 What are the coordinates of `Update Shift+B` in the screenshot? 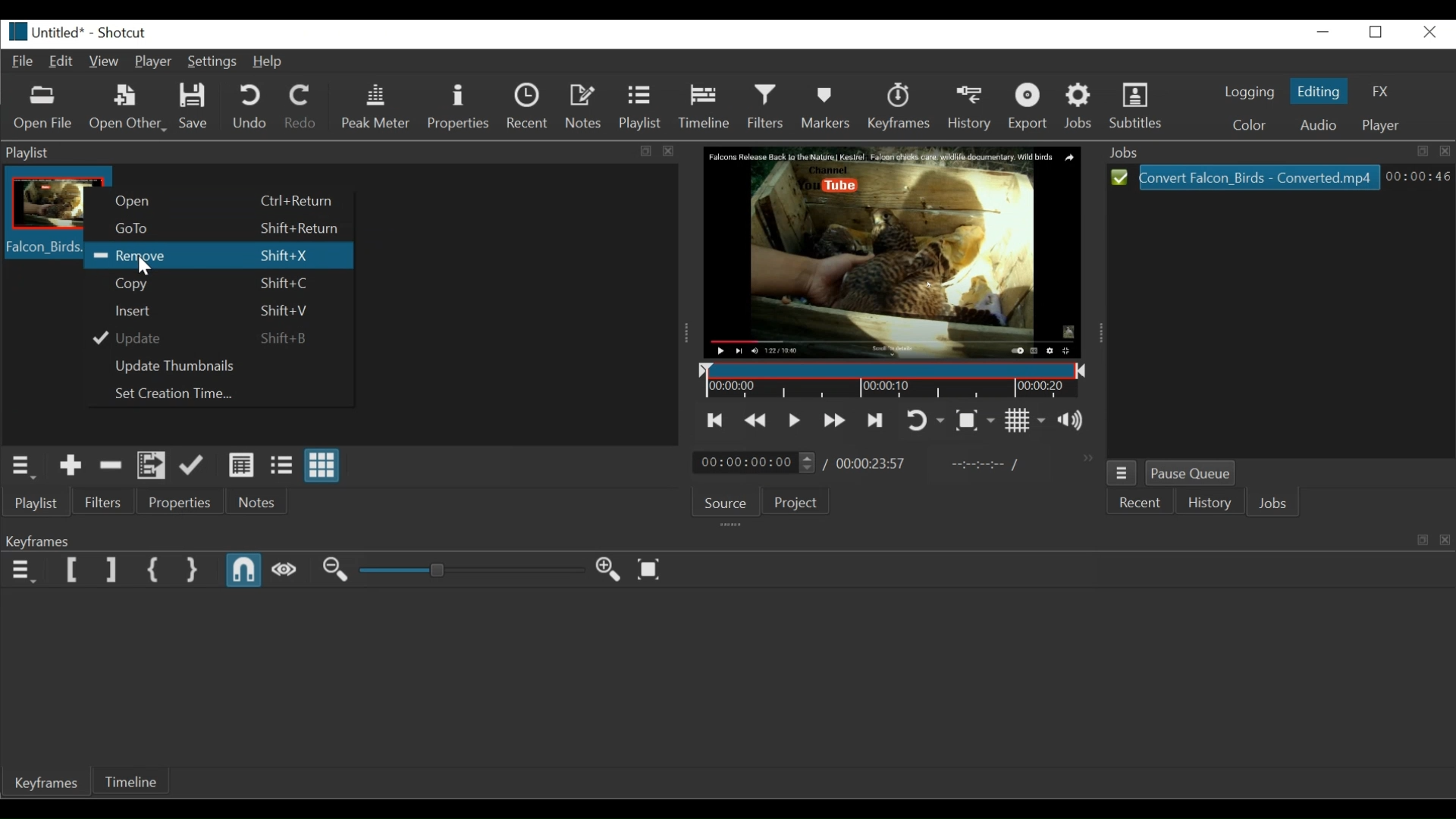 It's located at (212, 337).